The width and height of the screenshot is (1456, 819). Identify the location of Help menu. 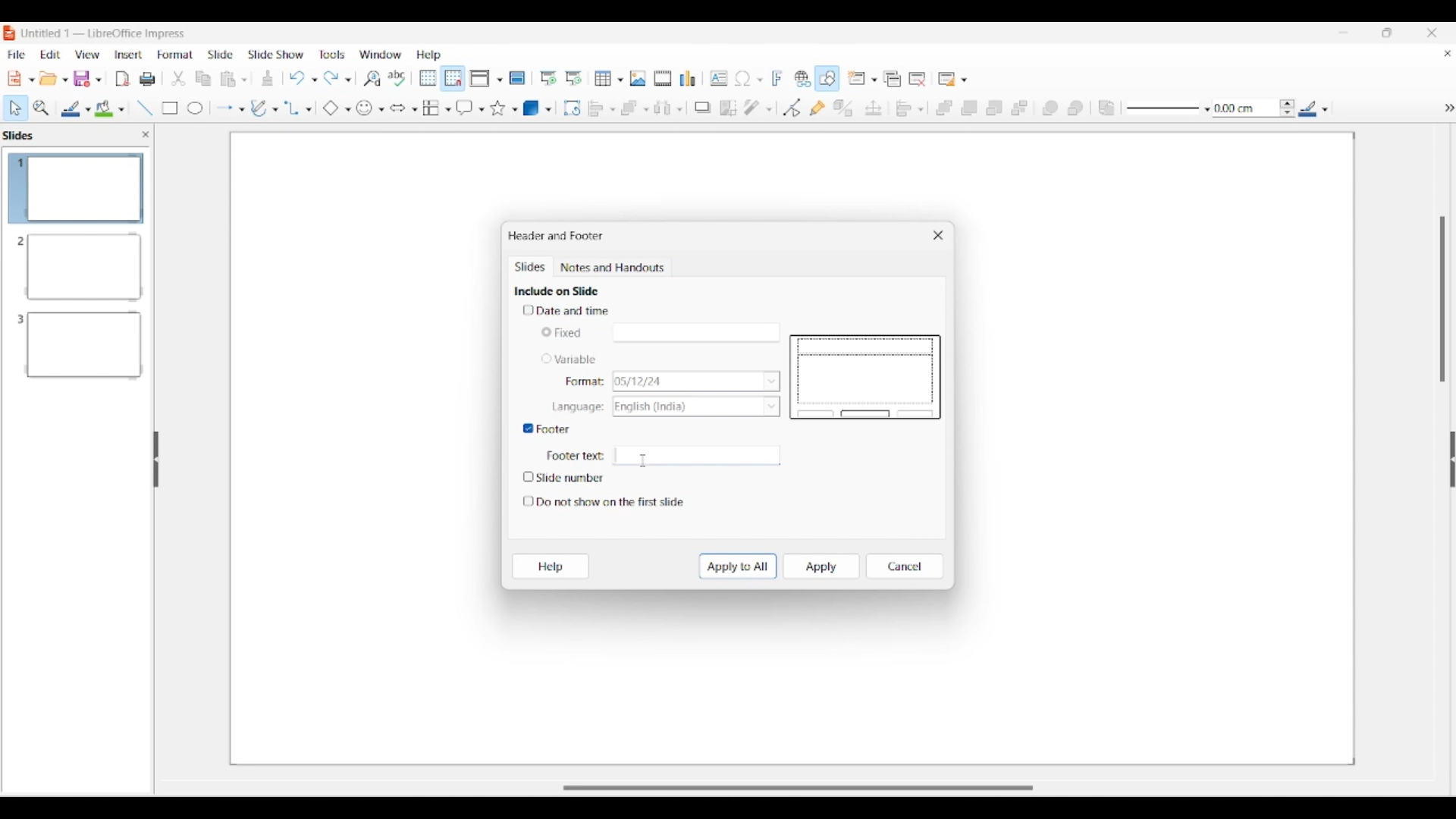
(429, 55).